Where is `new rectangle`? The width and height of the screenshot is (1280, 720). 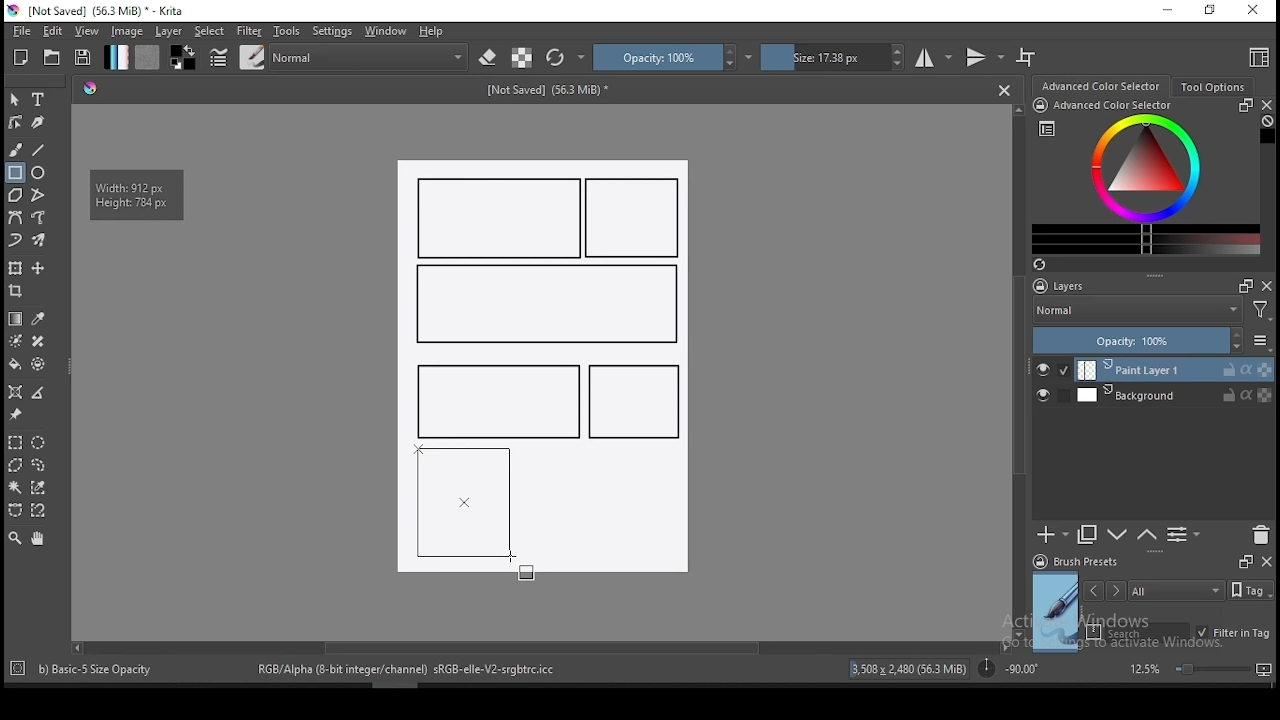 new rectangle is located at coordinates (544, 305).